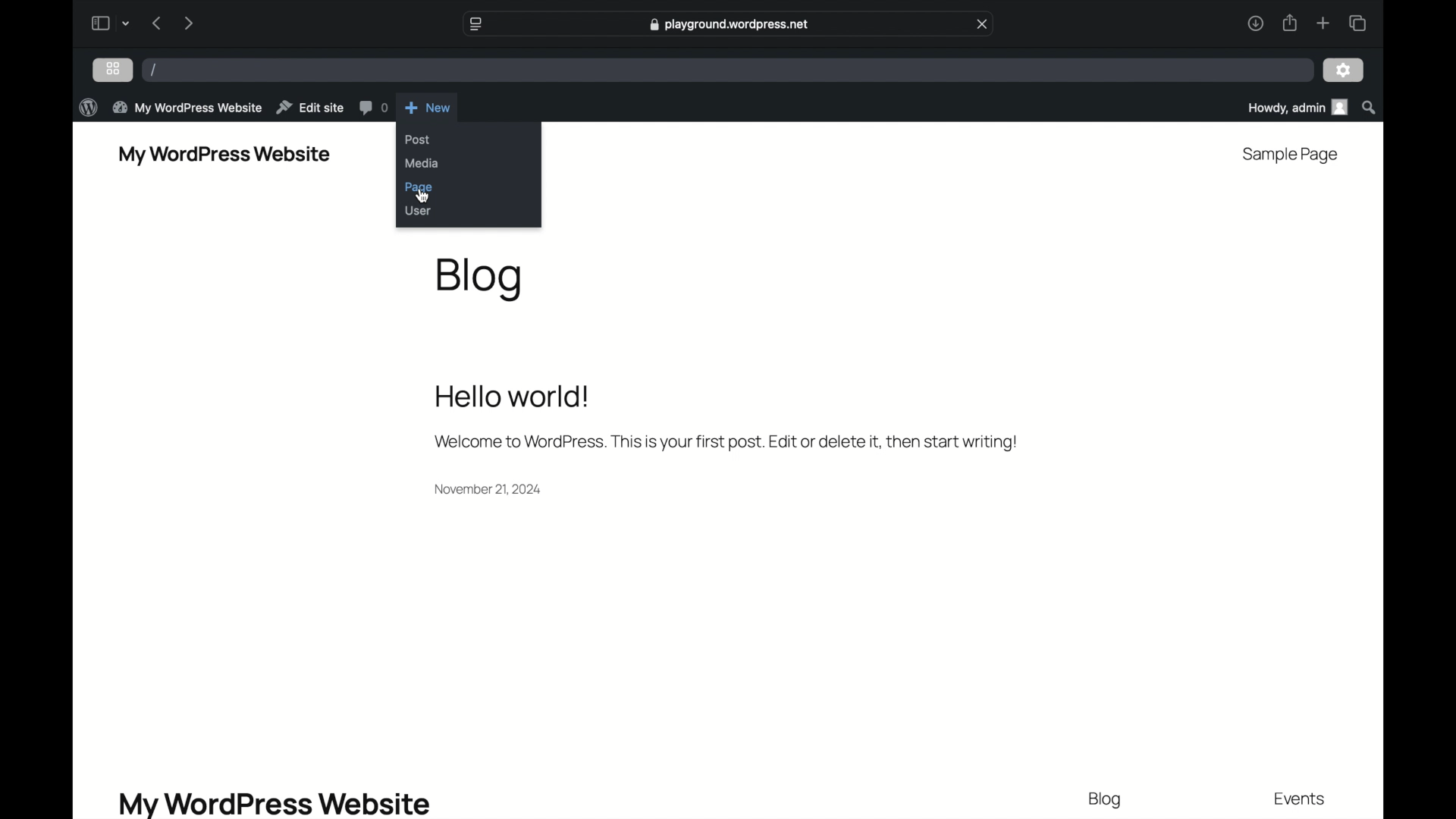 The image size is (1456, 819). What do you see at coordinates (419, 187) in the screenshot?
I see `page` at bounding box center [419, 187].